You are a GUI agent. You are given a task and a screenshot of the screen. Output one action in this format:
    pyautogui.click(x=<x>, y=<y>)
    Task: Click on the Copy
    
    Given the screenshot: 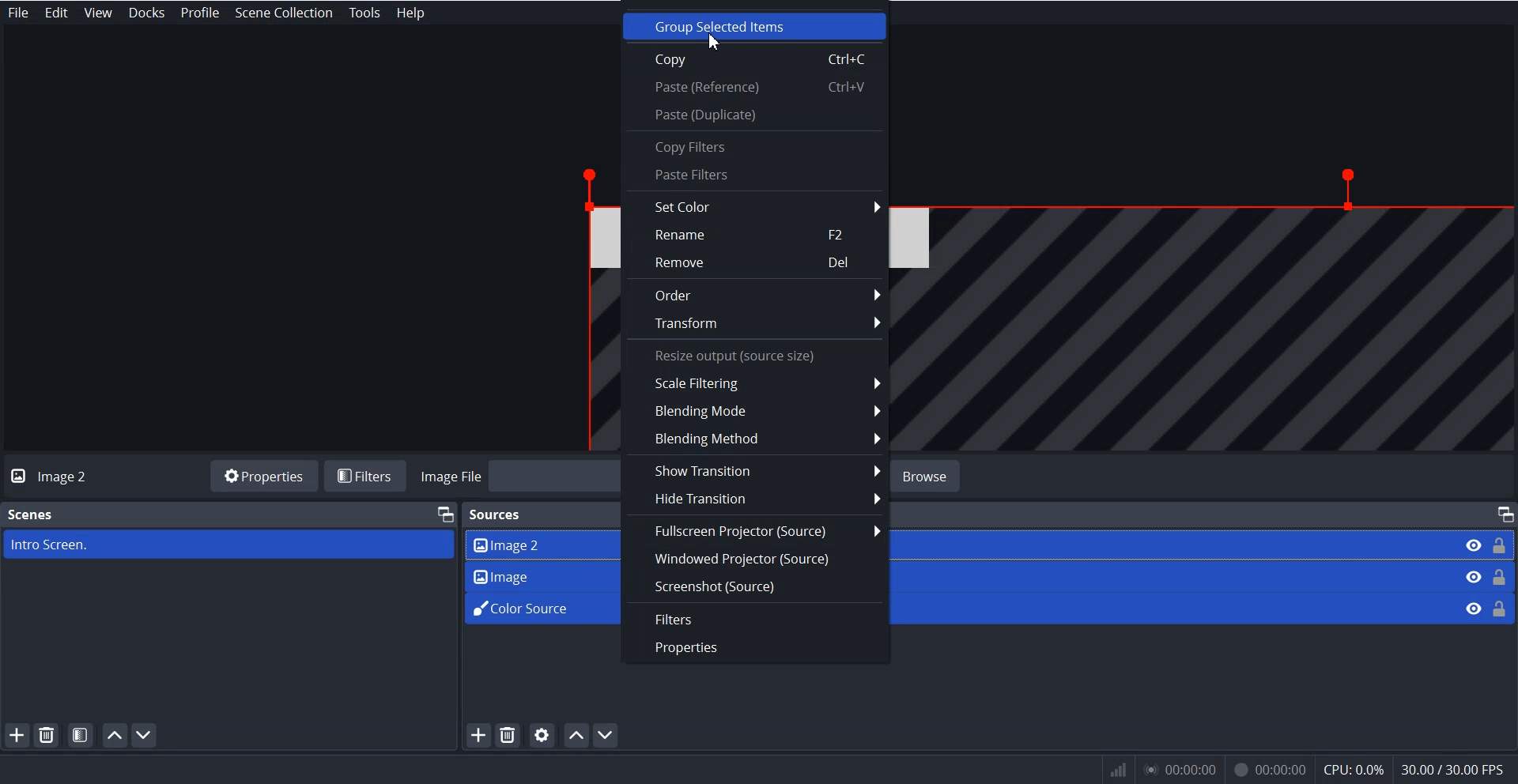 What is the action you would take?
    pyautogui.click(x=700, y=56)
    